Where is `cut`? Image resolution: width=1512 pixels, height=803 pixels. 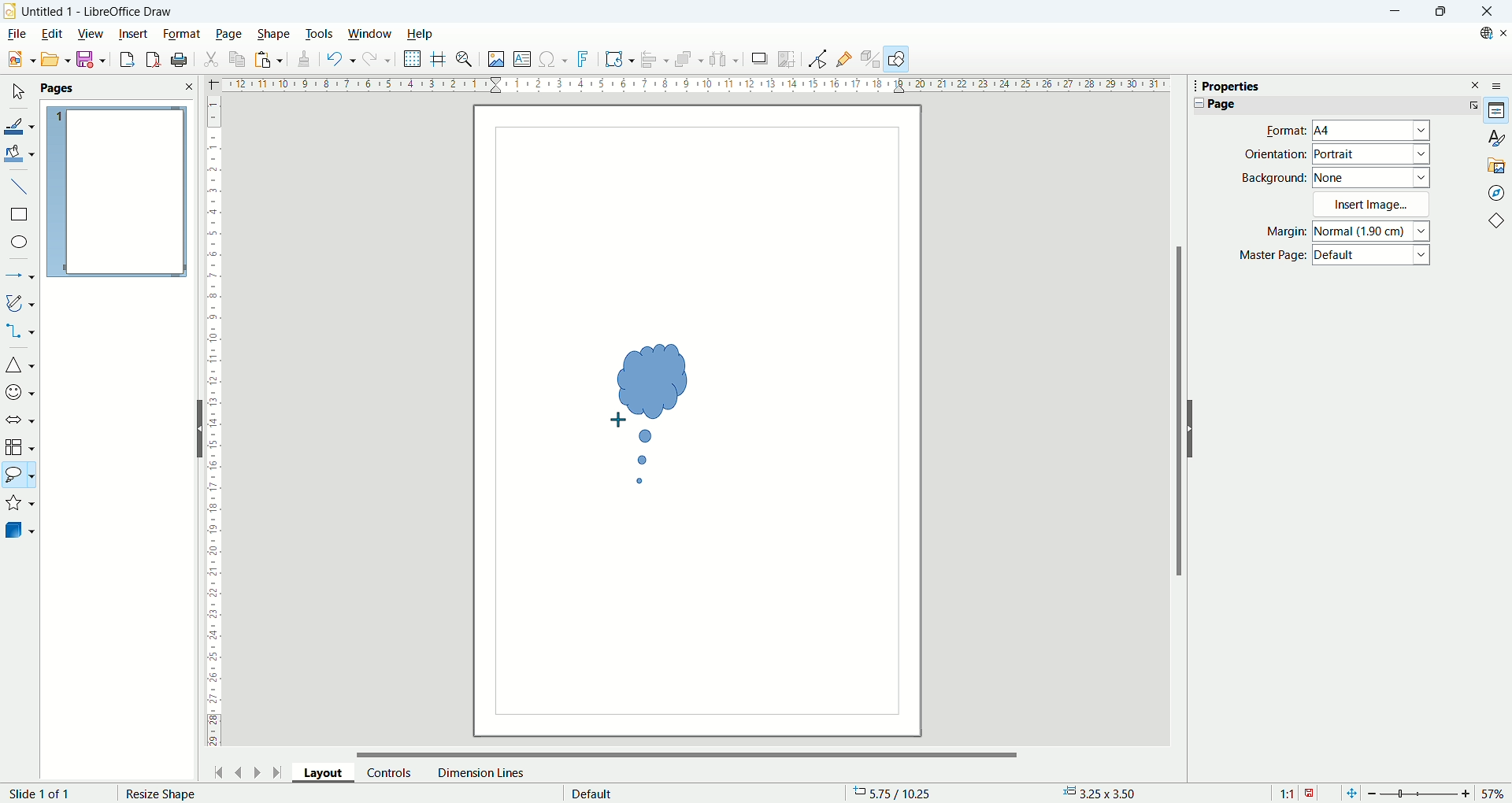 cut is located at coordinates (213, 57).